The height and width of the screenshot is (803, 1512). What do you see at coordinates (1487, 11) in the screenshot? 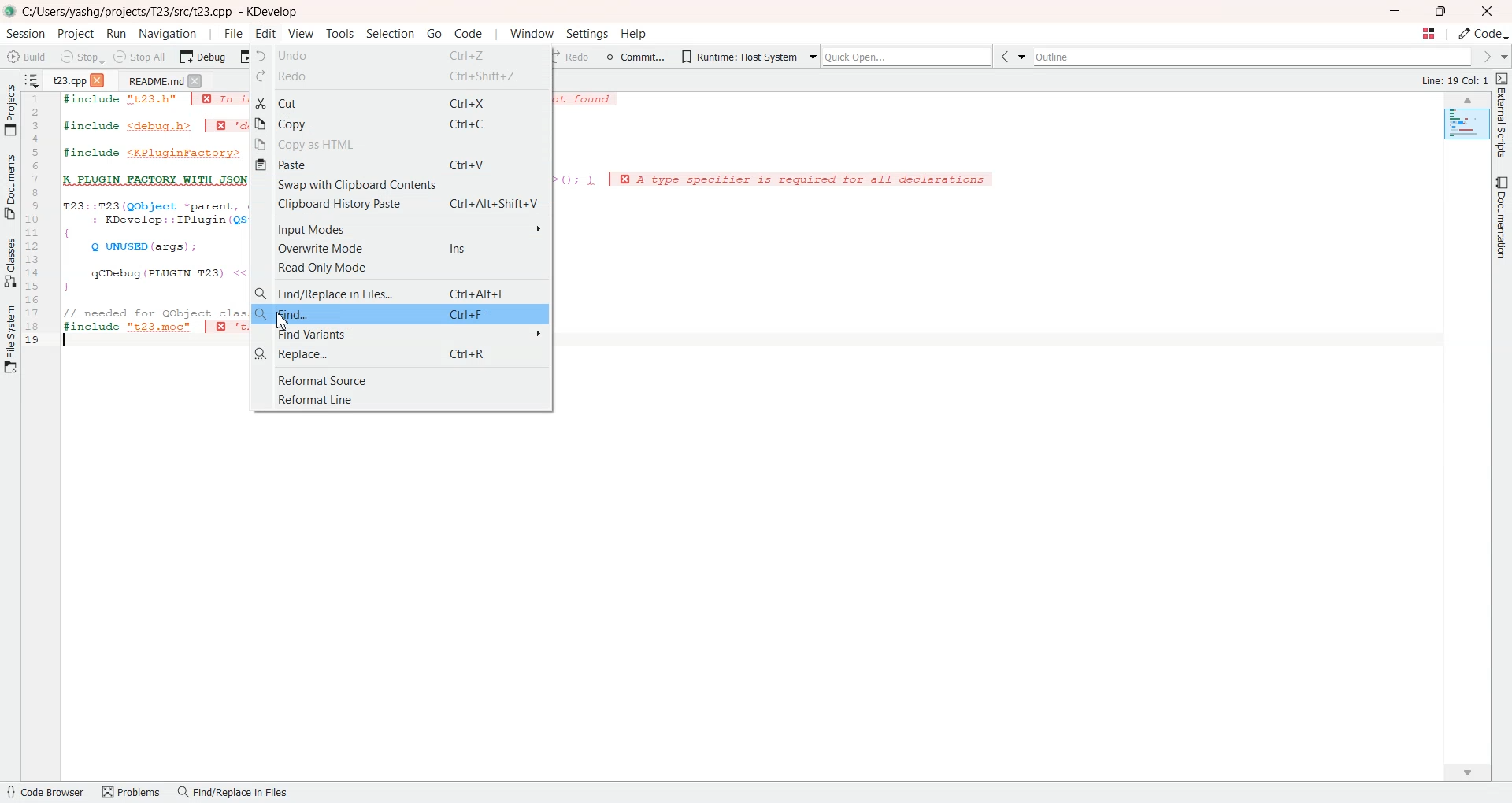
I see `Close` at bounding box center [1487, 11].